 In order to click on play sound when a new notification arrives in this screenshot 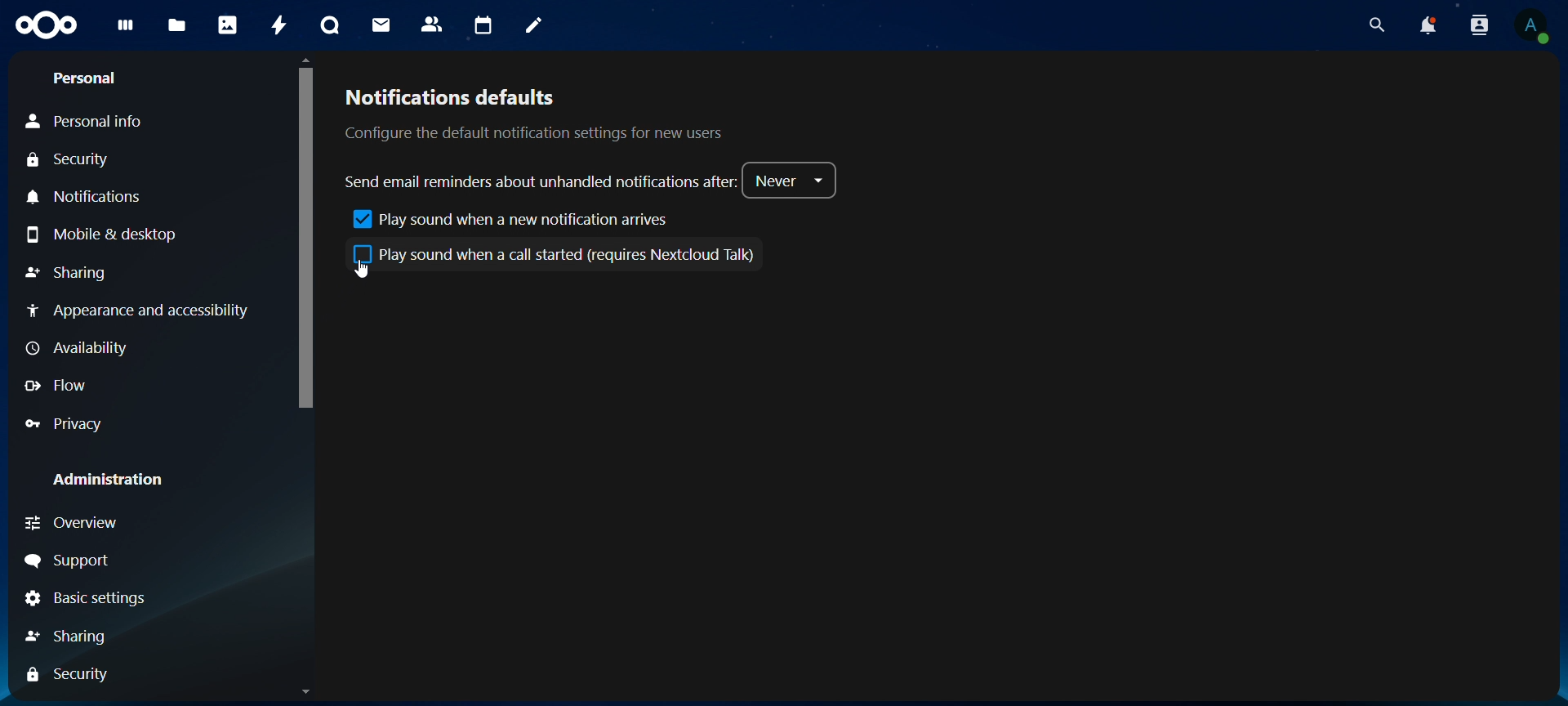, I will do `click(501, 219)`.